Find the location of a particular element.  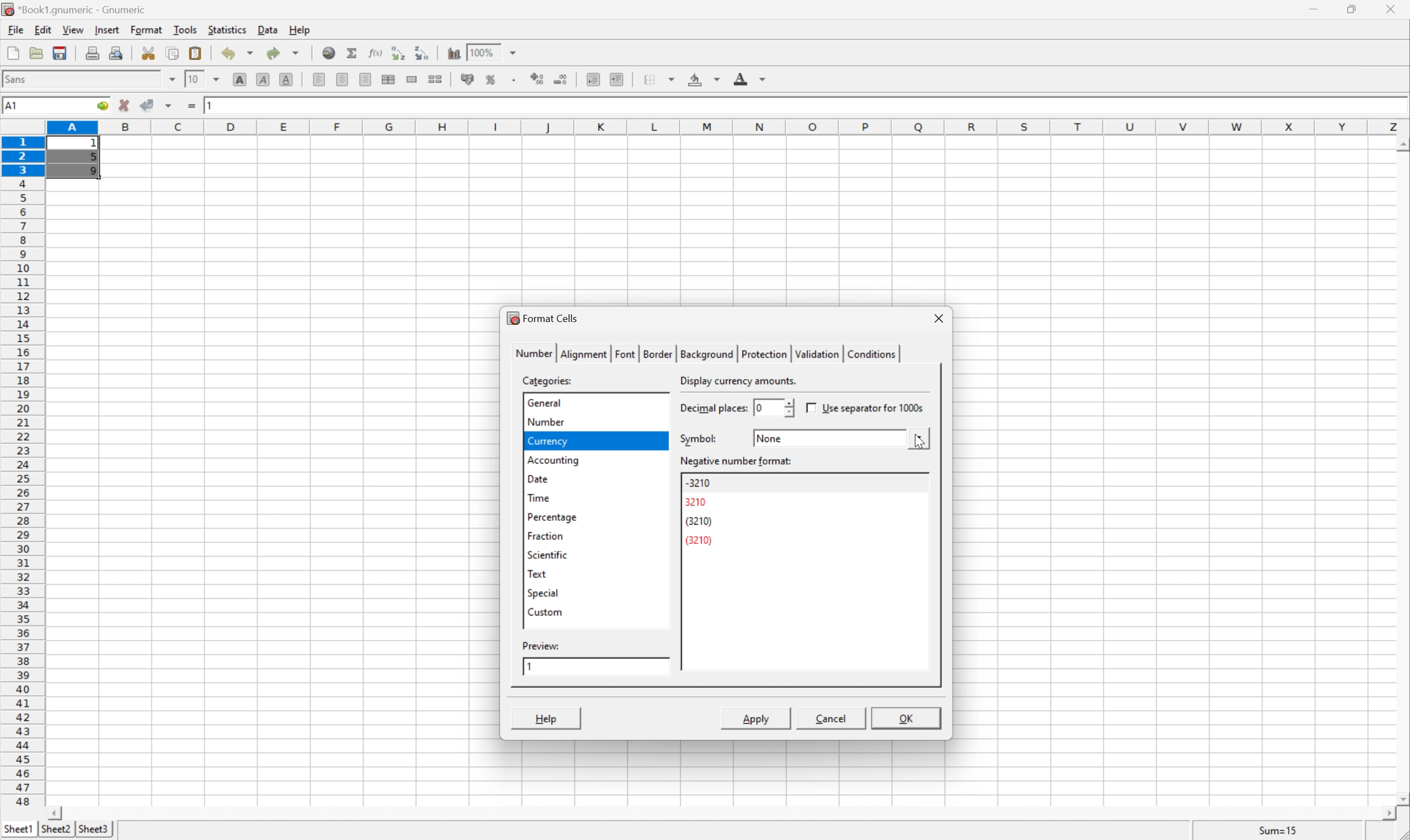

time is located at coordinates (538, 497).